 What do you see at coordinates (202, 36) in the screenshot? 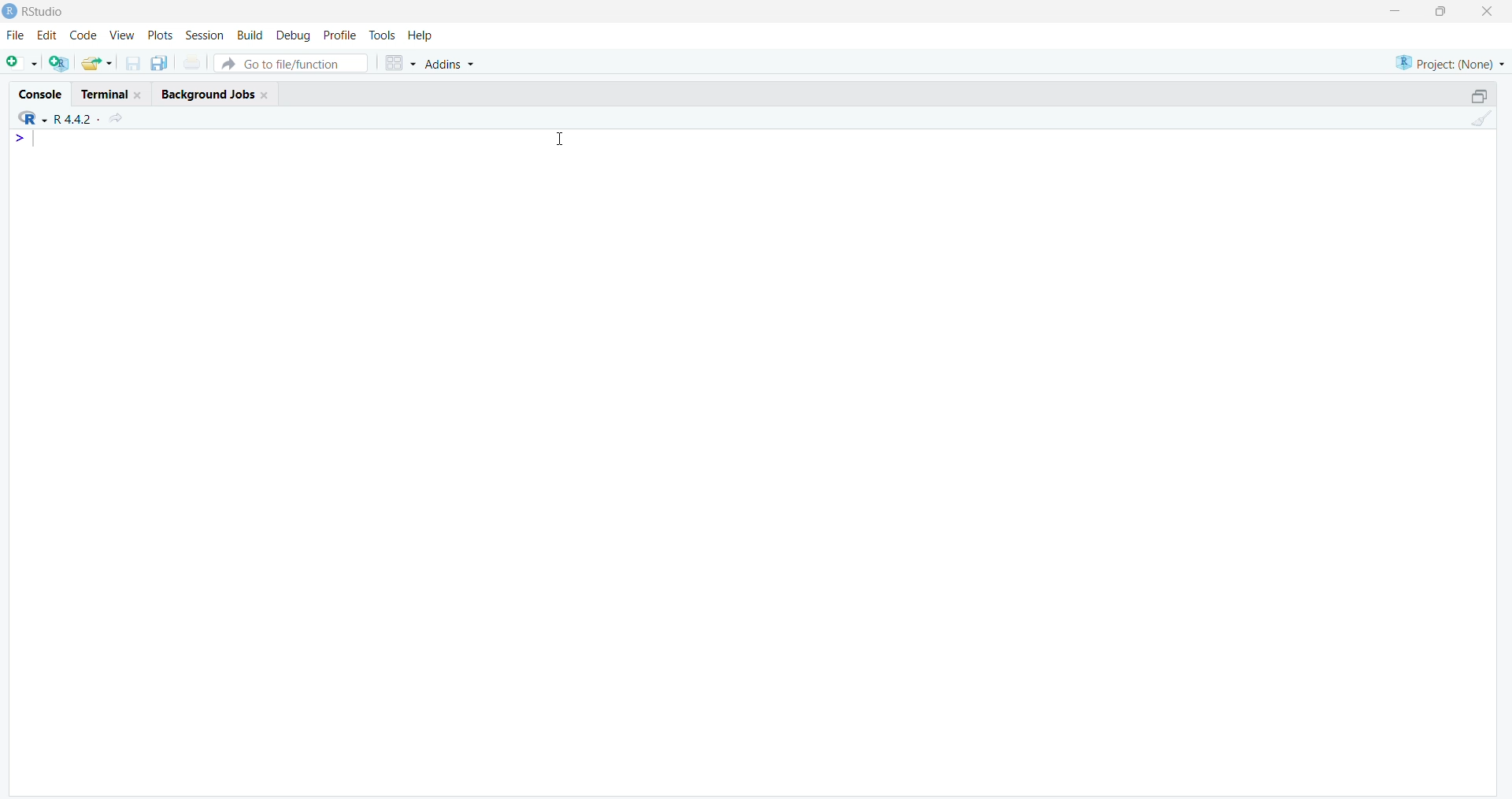
I see `Session` at bounding box center [202, 36].